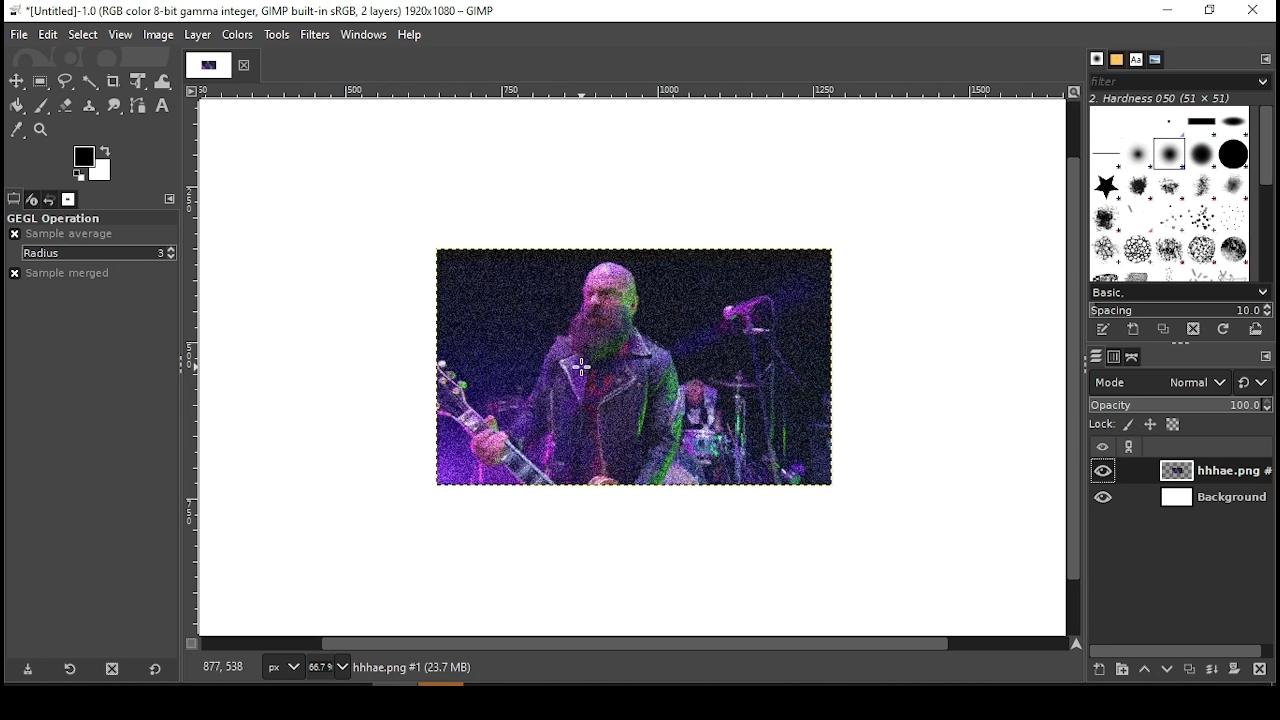 This screenshot has width=1280, height=720. I want to click on minimize, so click(1168, 12).